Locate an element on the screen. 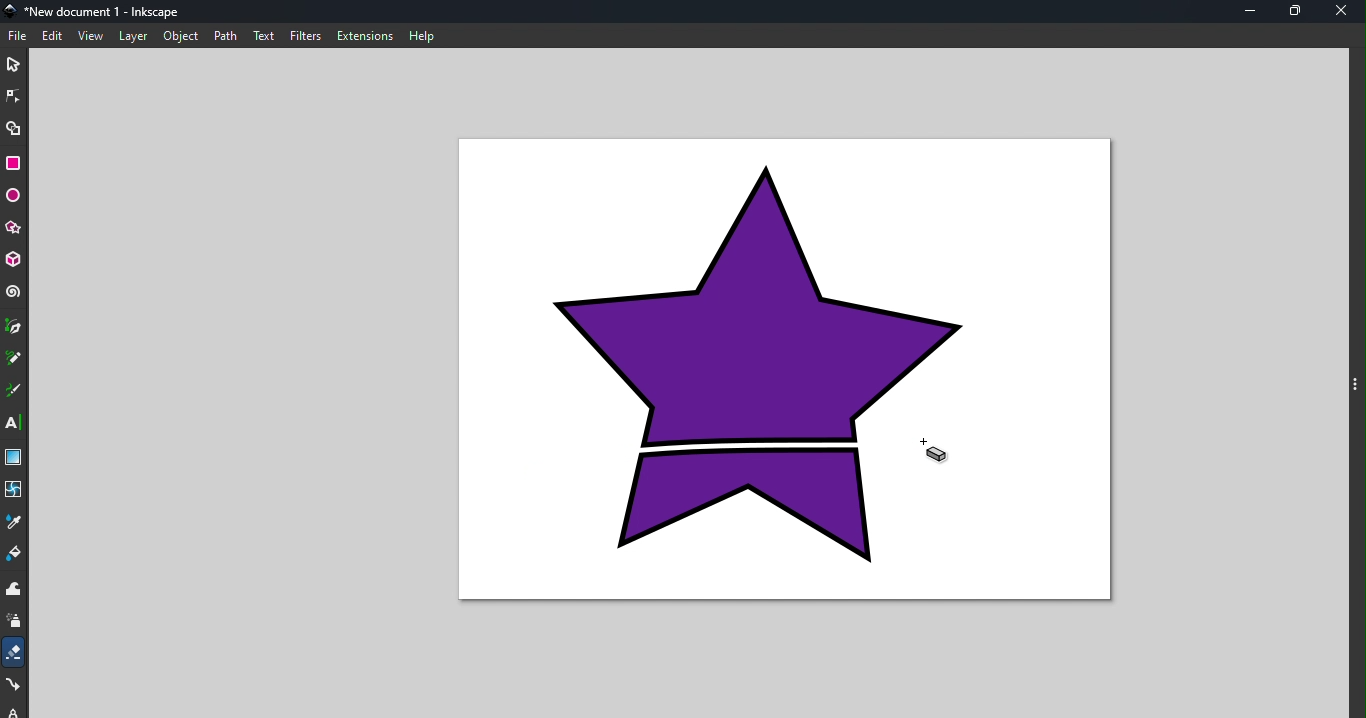 Image resolution: width=1366 pixels, height=718 pixels. minimize tool is located at coordinates (1249, 11).